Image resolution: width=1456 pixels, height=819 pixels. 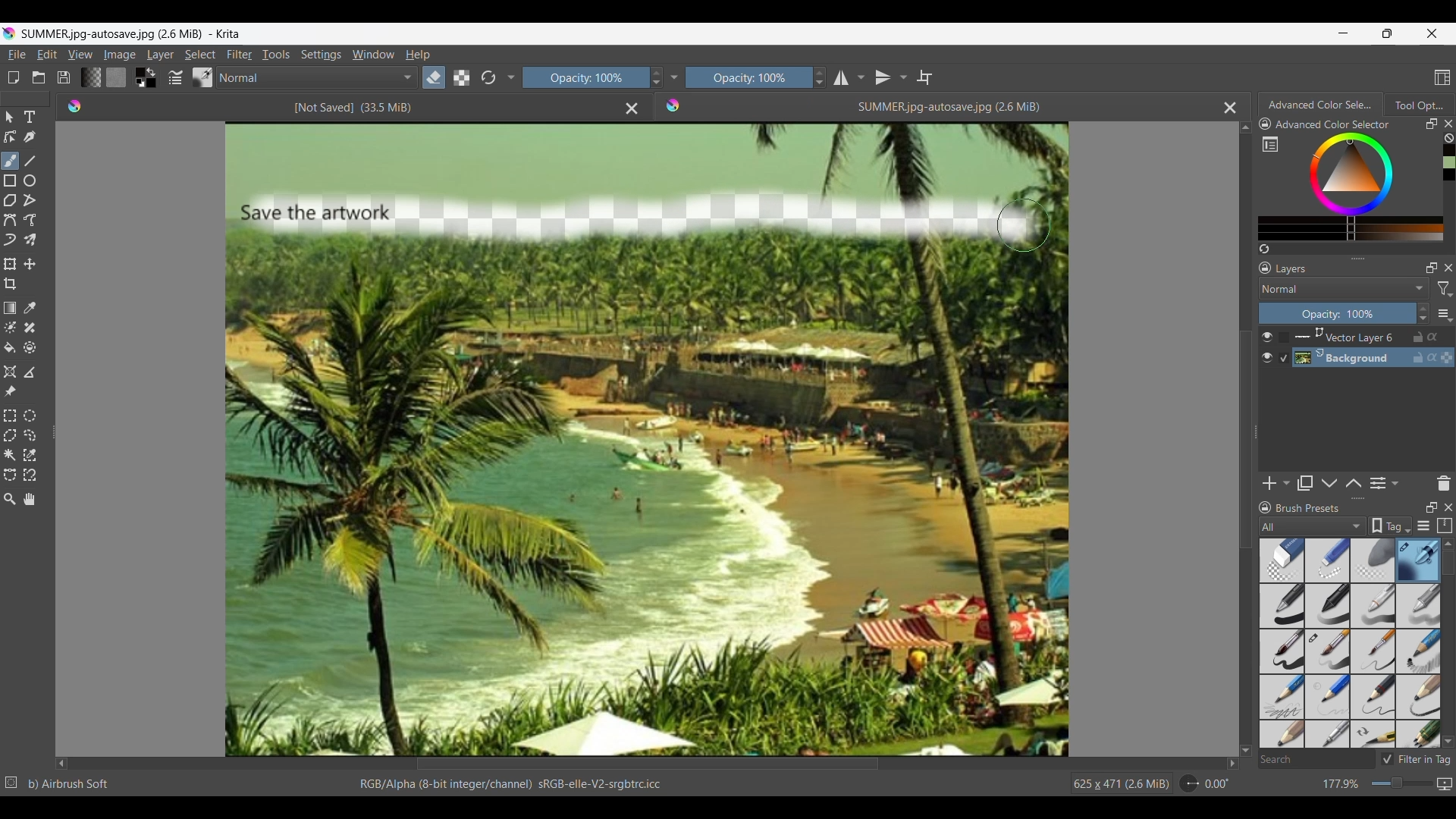 What do you see at coordinates (1428, 268) in the screenshot?
I see `Float layers panel` at bounding box center [1428, 268].